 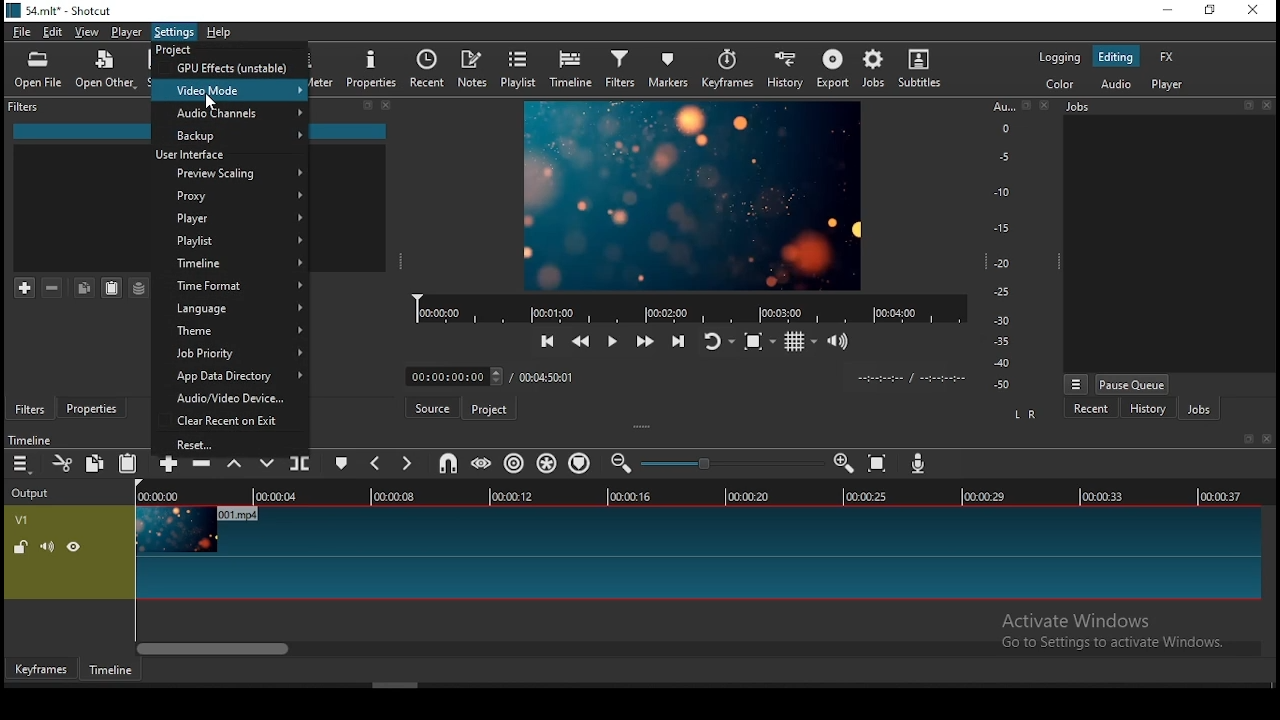 I want to click on -50, so click(x=1002, y=385).